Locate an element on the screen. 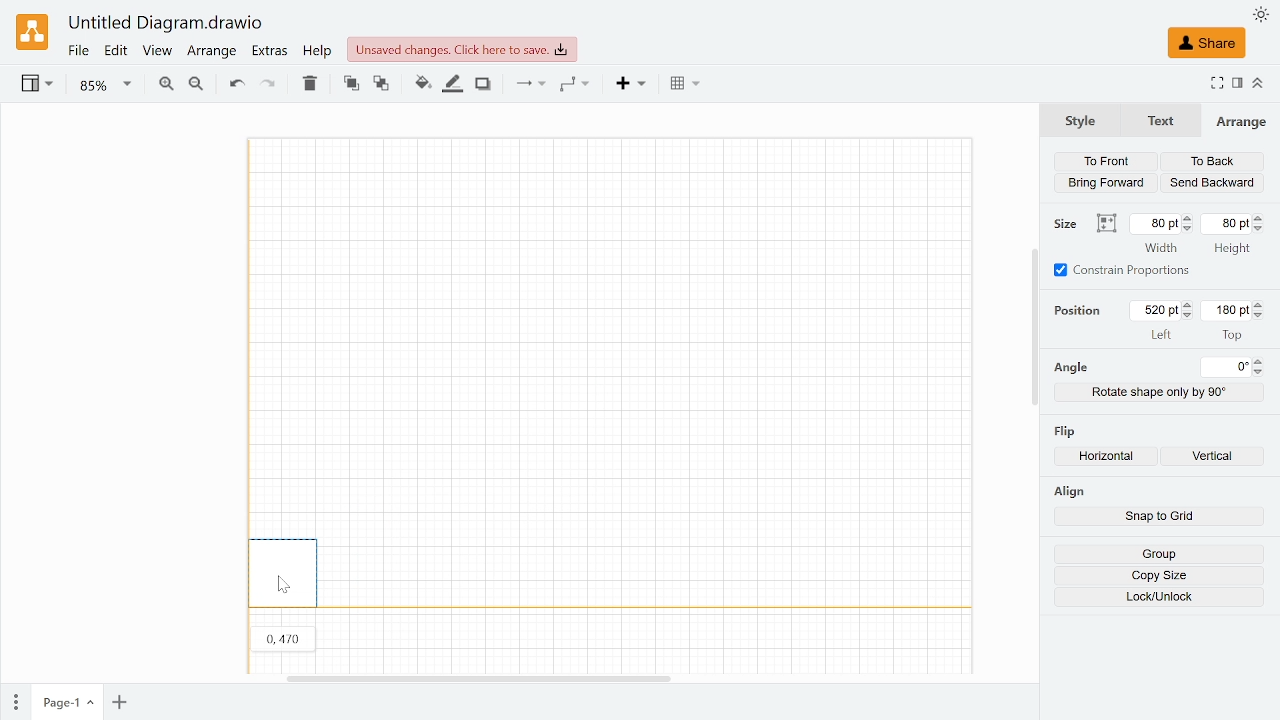  Format is located at coordinates (1238, 84).